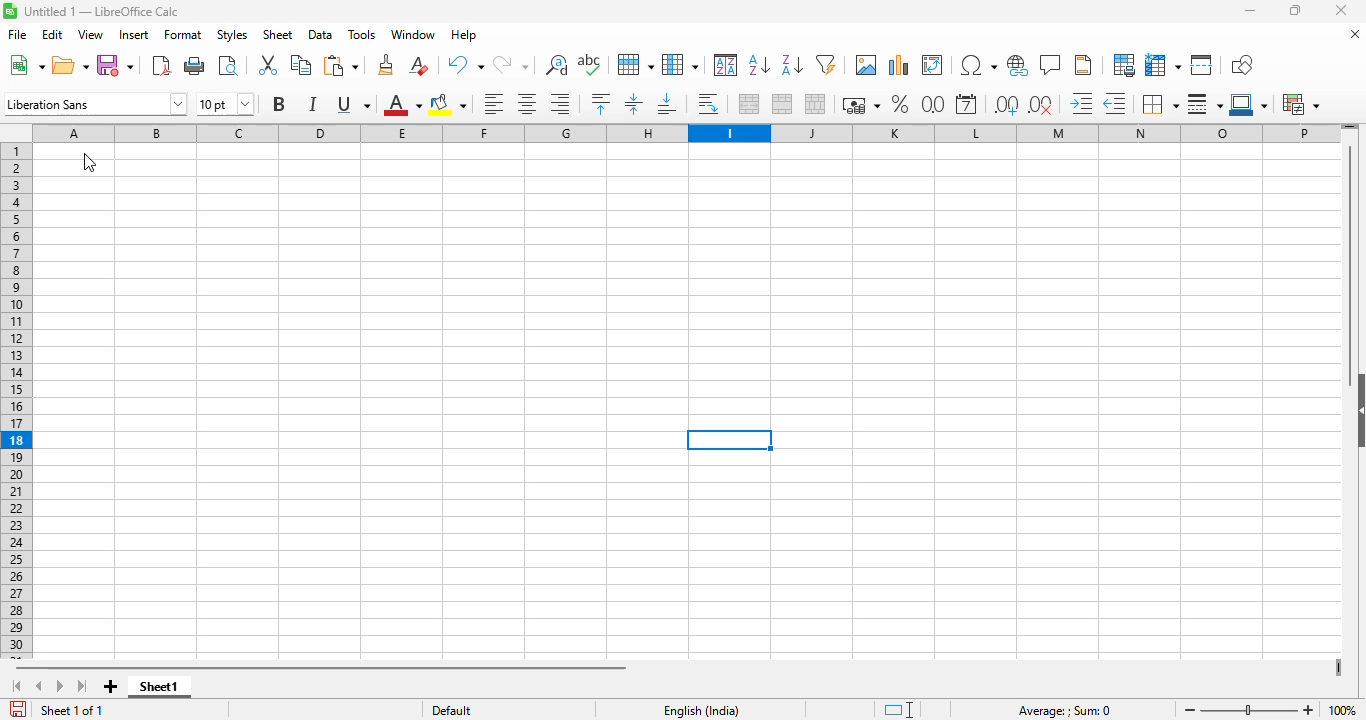 The image size is (1366, 720). Describe the element at coordinates (353, 104) in the screenshot. I see `underline` at that location.